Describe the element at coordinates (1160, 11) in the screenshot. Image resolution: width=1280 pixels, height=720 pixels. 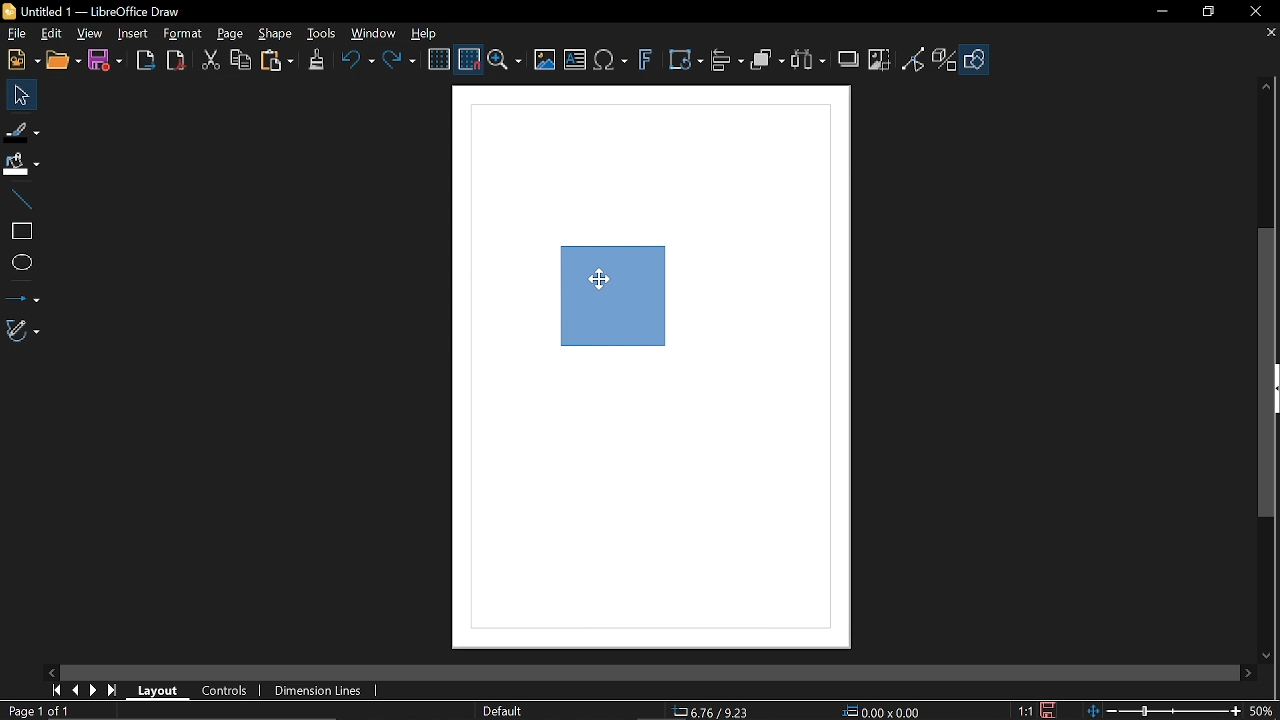
I see `Minimize` at that location.